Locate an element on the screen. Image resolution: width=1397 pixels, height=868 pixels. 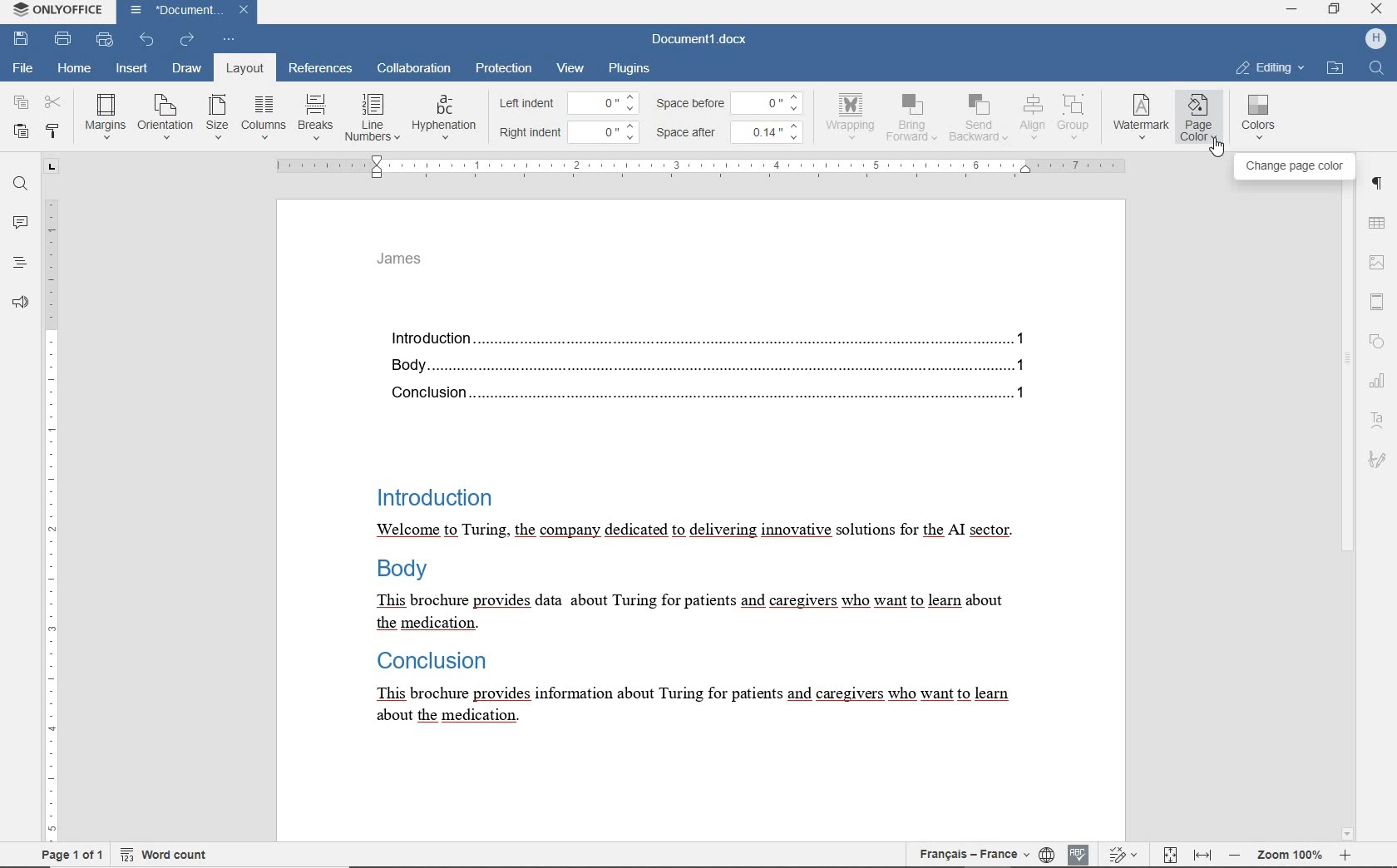
left indent is located at coordinates (526, 104).